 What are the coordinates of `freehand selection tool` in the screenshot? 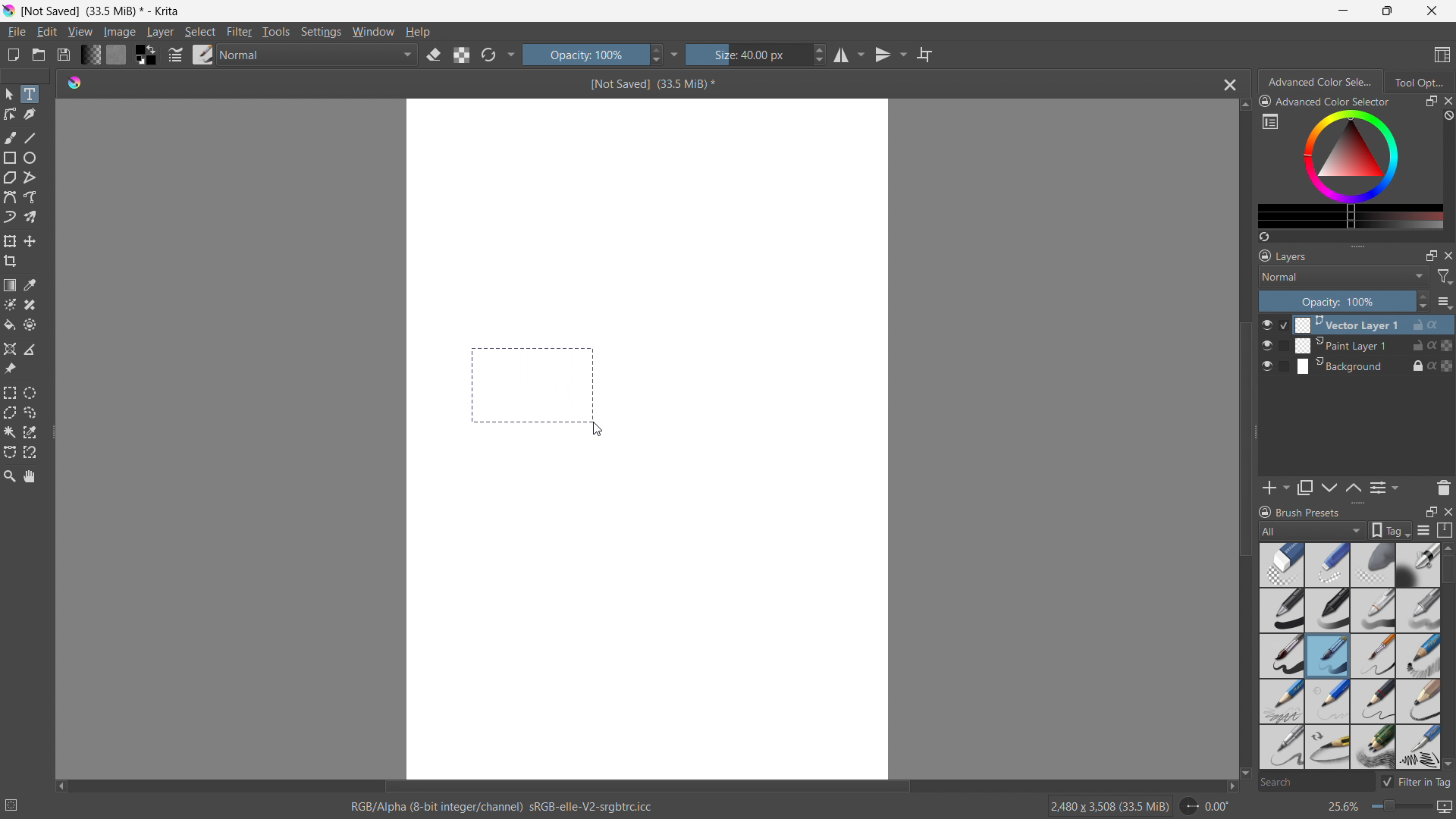 It's located at (30, 413).